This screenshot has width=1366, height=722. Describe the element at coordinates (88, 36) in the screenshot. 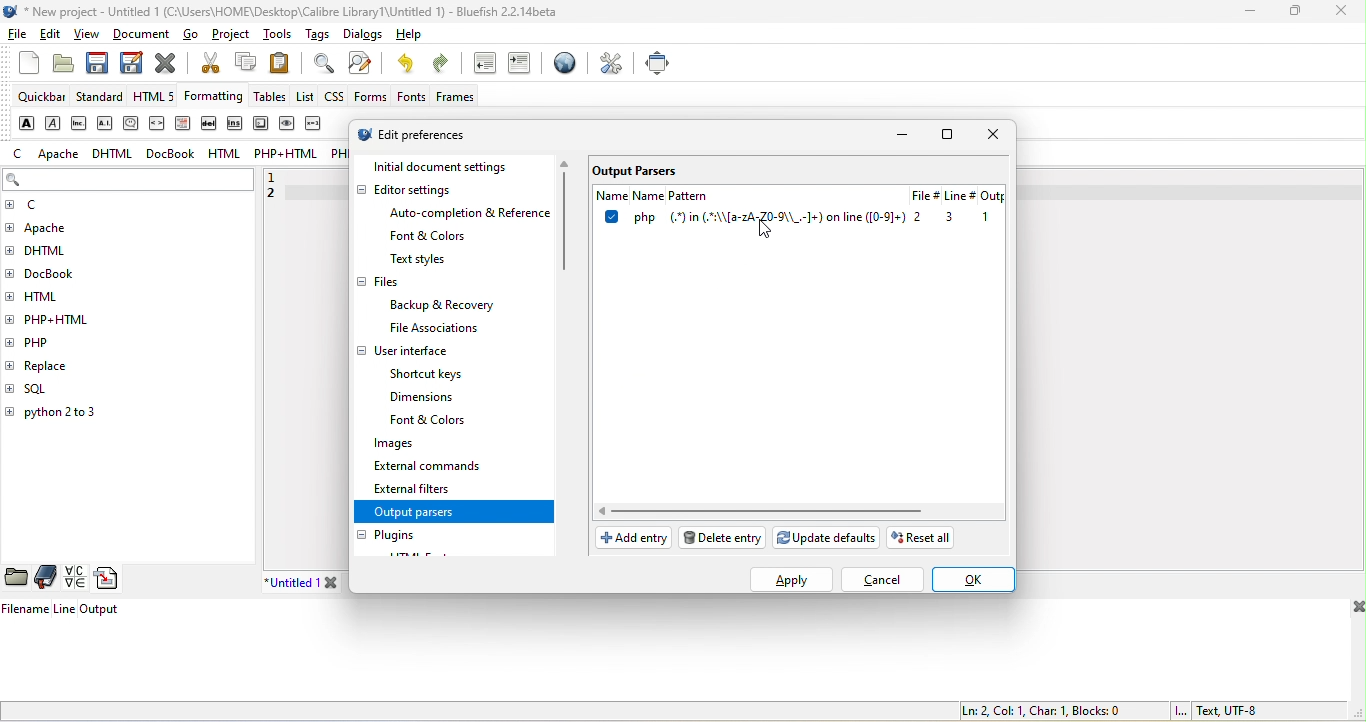

I see `view` at that location.